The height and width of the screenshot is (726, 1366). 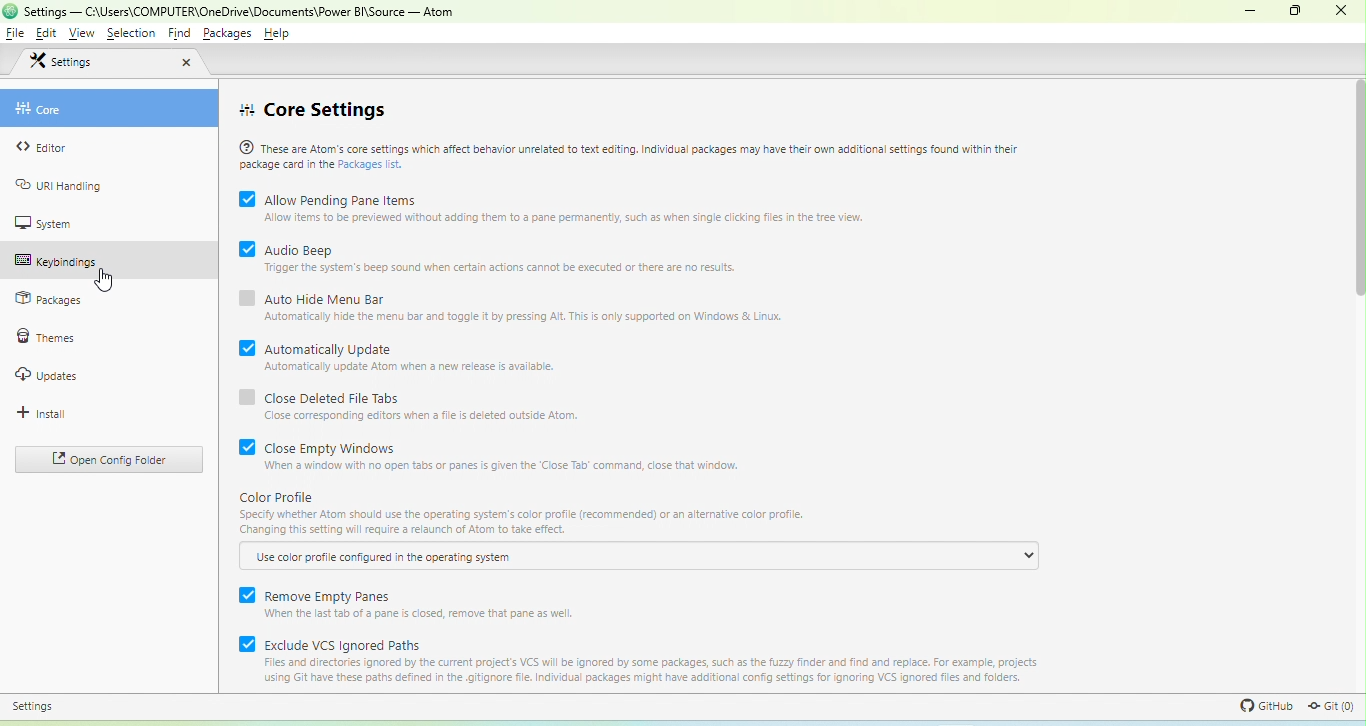 I want to click on ‘Close corresponding editors when a file is deleted outside Atom., so click(x=423, y=417).